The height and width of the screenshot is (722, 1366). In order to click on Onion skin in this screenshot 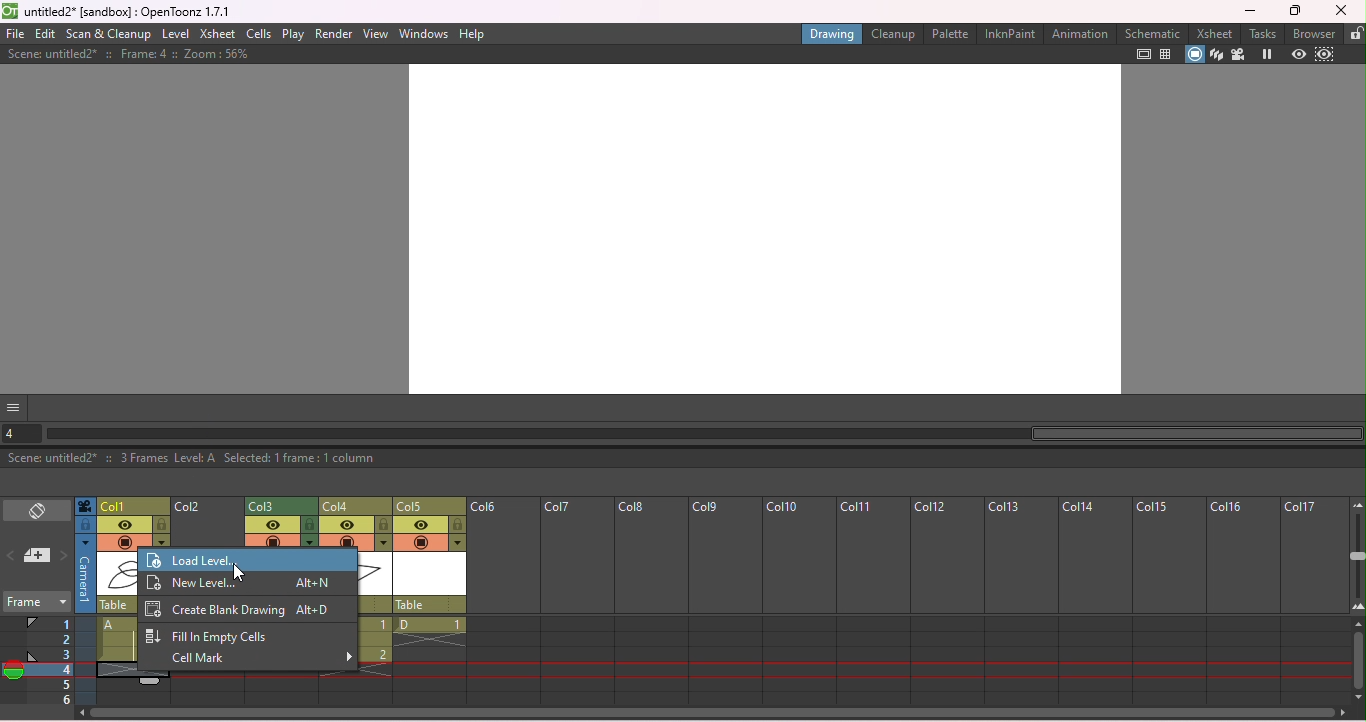, I will do `click(13, 673)`.